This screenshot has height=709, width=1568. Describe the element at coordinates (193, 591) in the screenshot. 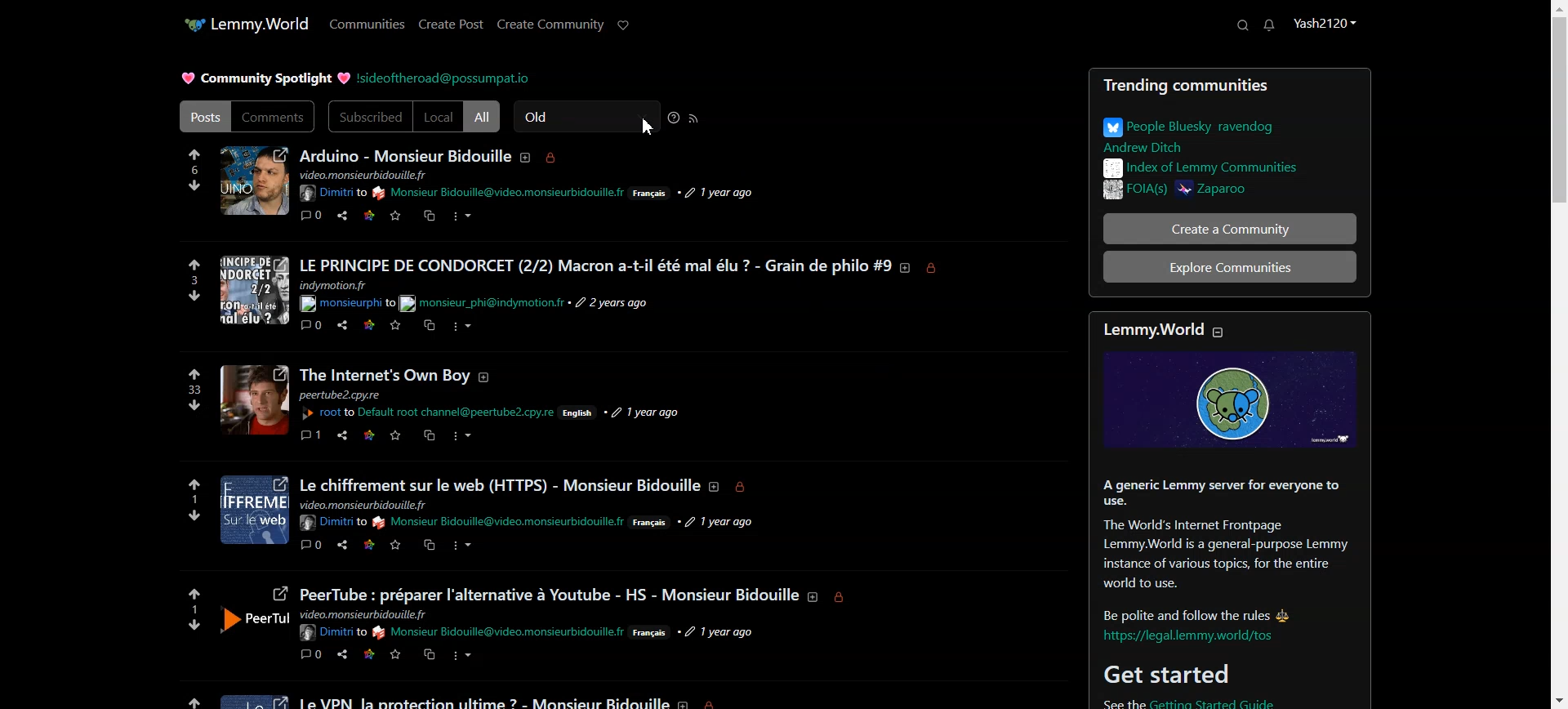

I see `upvotes` at that location.